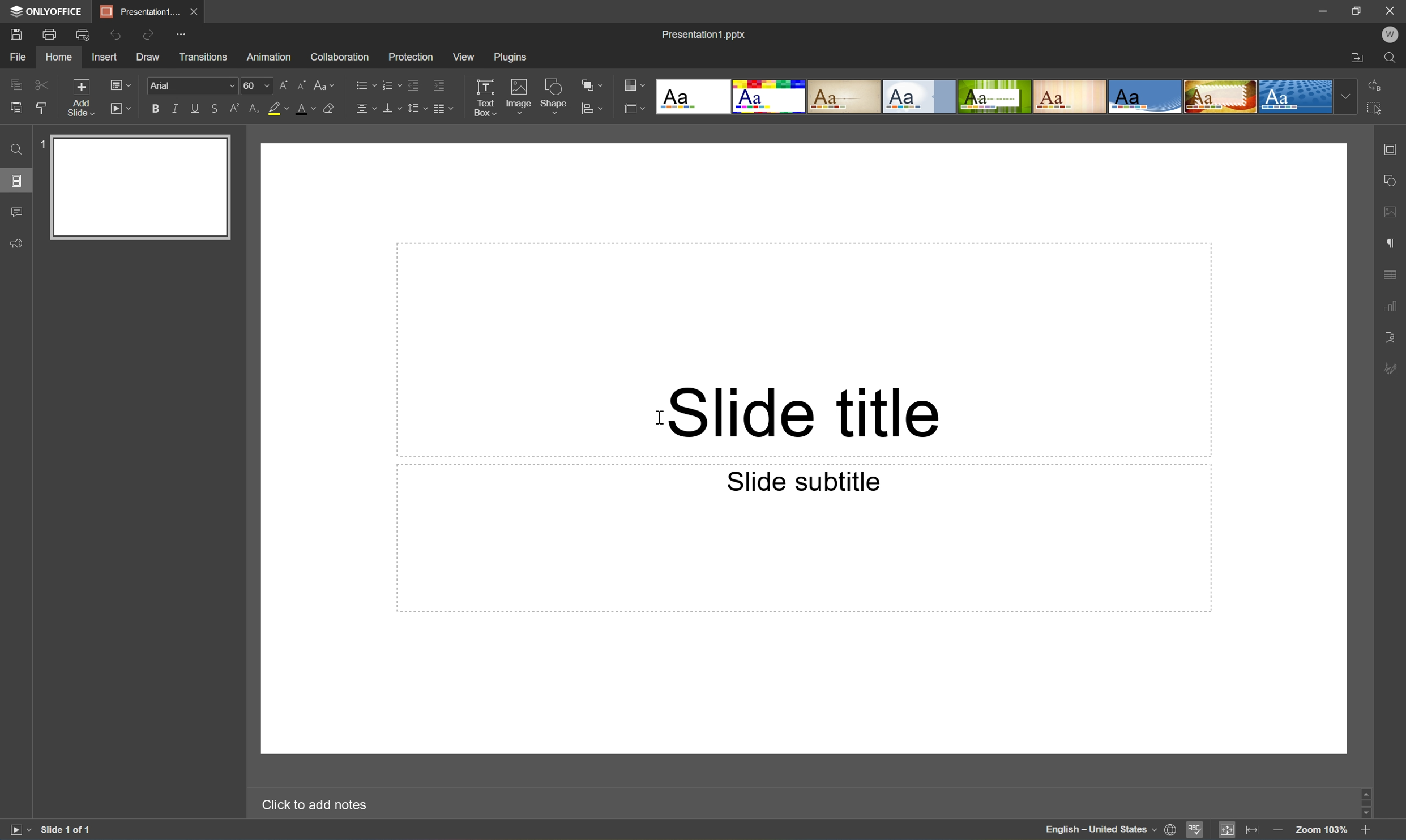 This screenshot has height=840, width=1406. I want to click on Bold, so click(152, 108).